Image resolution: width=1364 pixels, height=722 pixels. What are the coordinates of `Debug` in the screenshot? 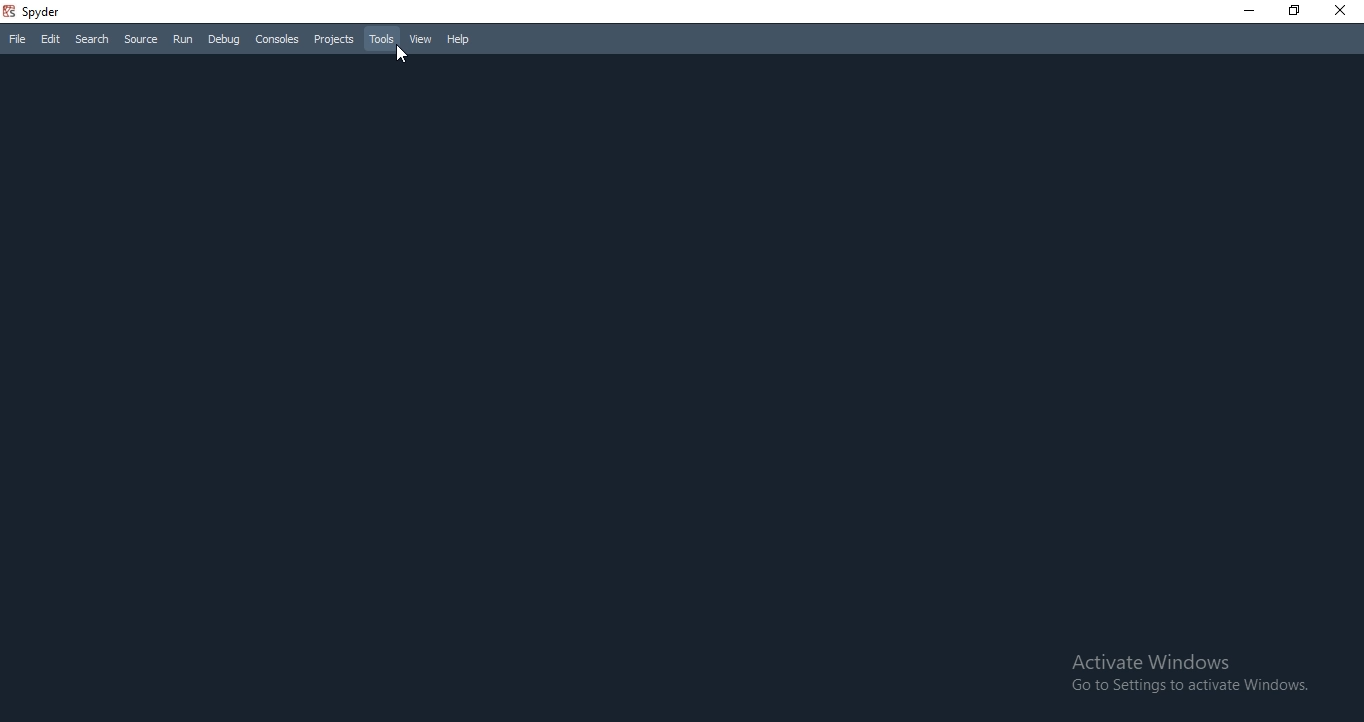 It's located at (225, 39).